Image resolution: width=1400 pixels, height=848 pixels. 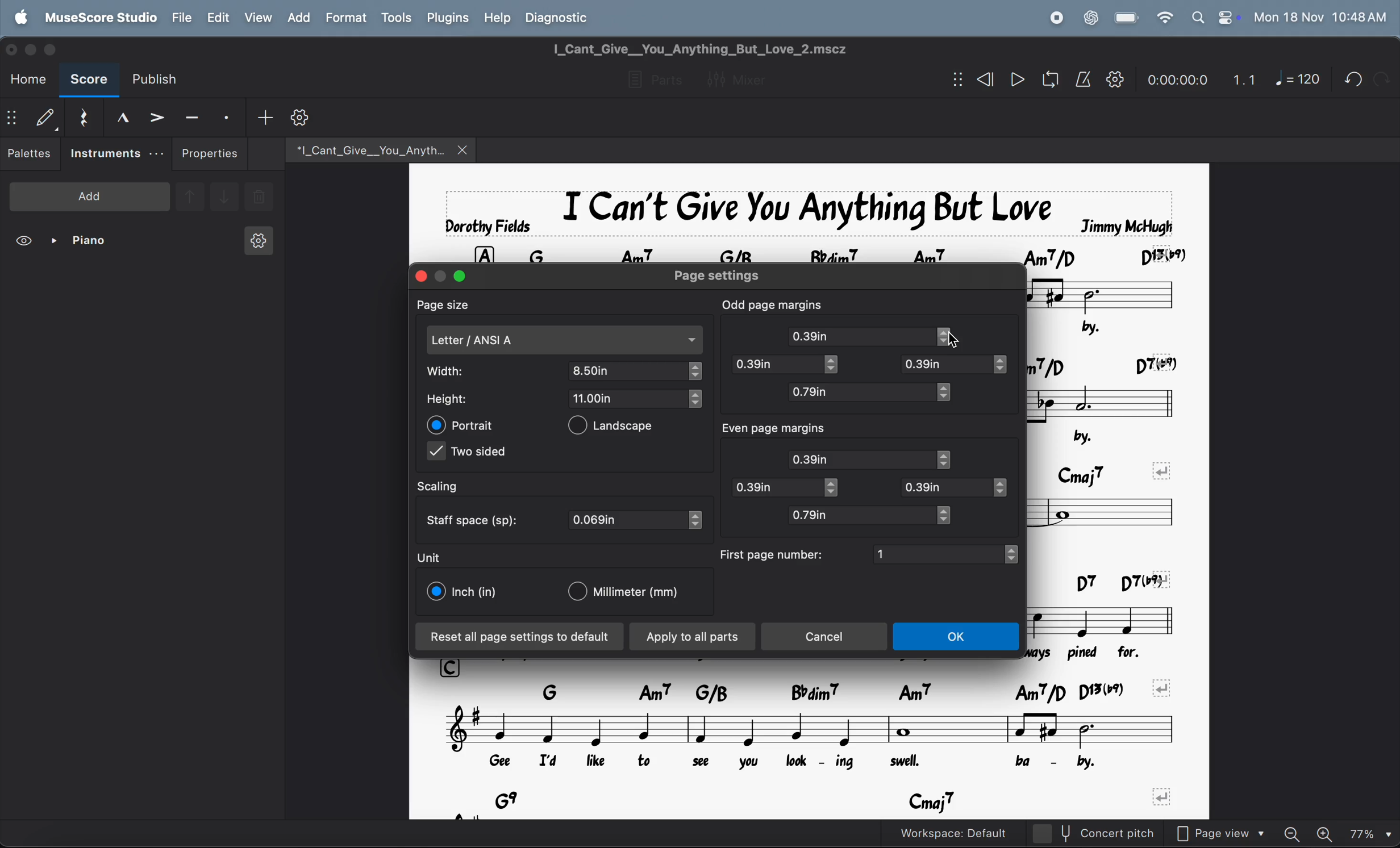 I want to click on apple menu, so click(x=23, y=16).